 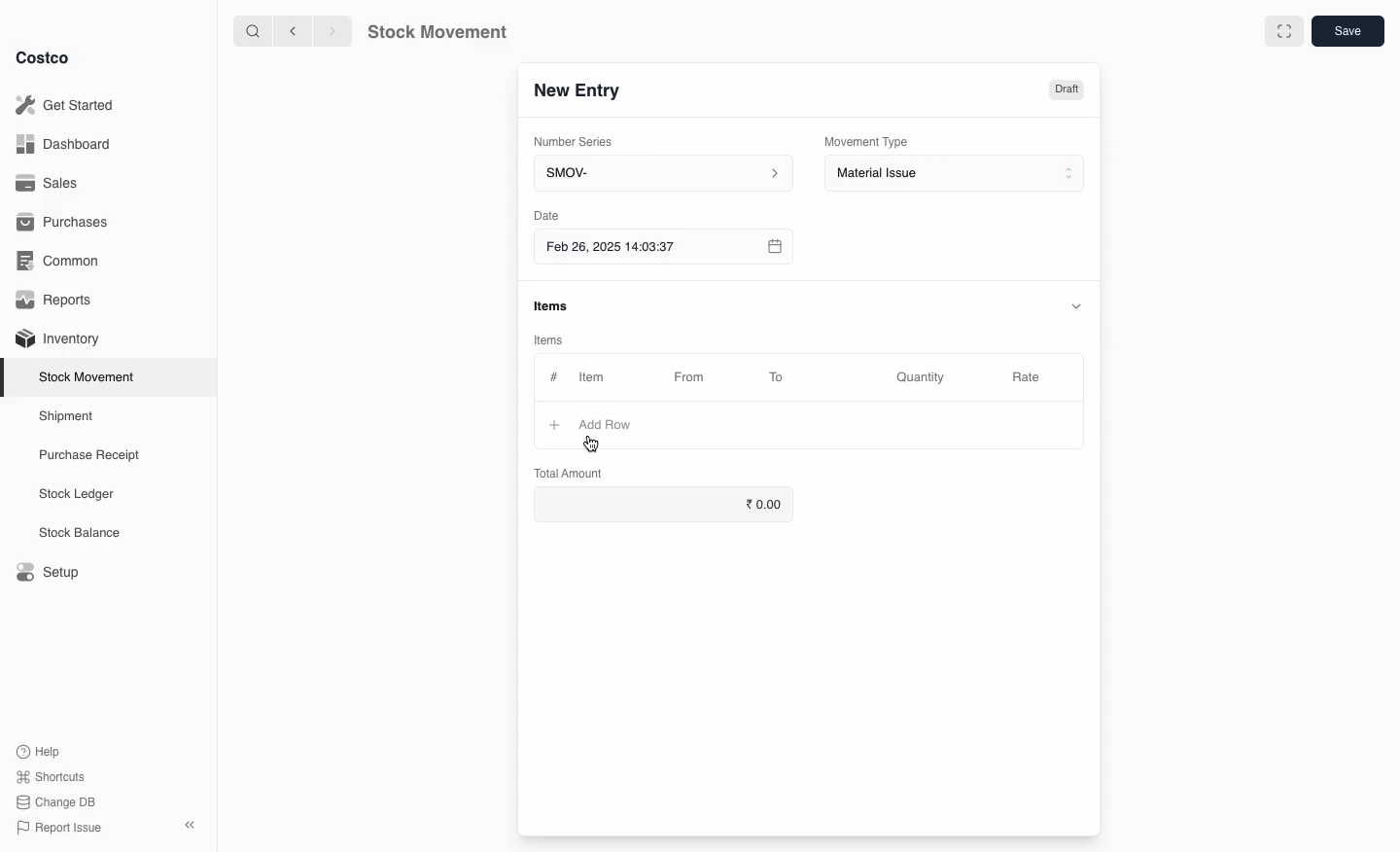 What do you see at coordinates (90, 376) in the screenshot?
I see `Stock Movement` at bounding box center [90, 376].